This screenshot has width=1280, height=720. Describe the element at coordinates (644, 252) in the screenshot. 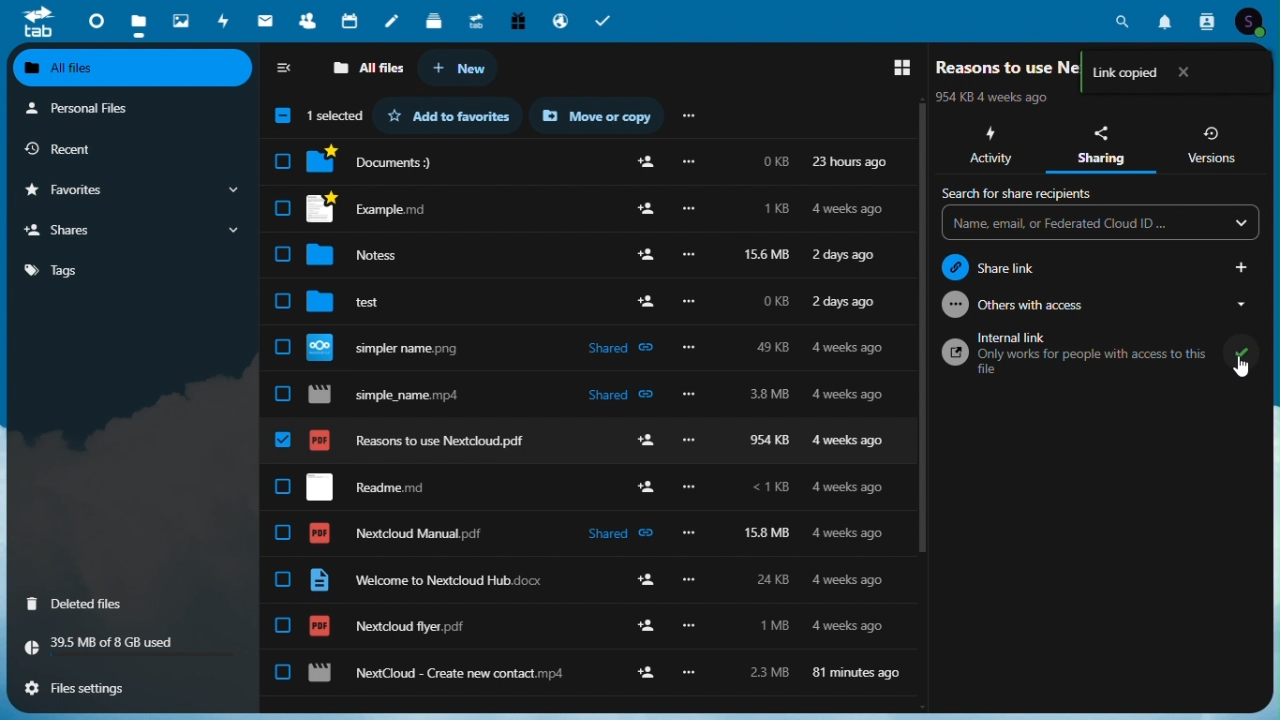

I see ` add user` at that location.